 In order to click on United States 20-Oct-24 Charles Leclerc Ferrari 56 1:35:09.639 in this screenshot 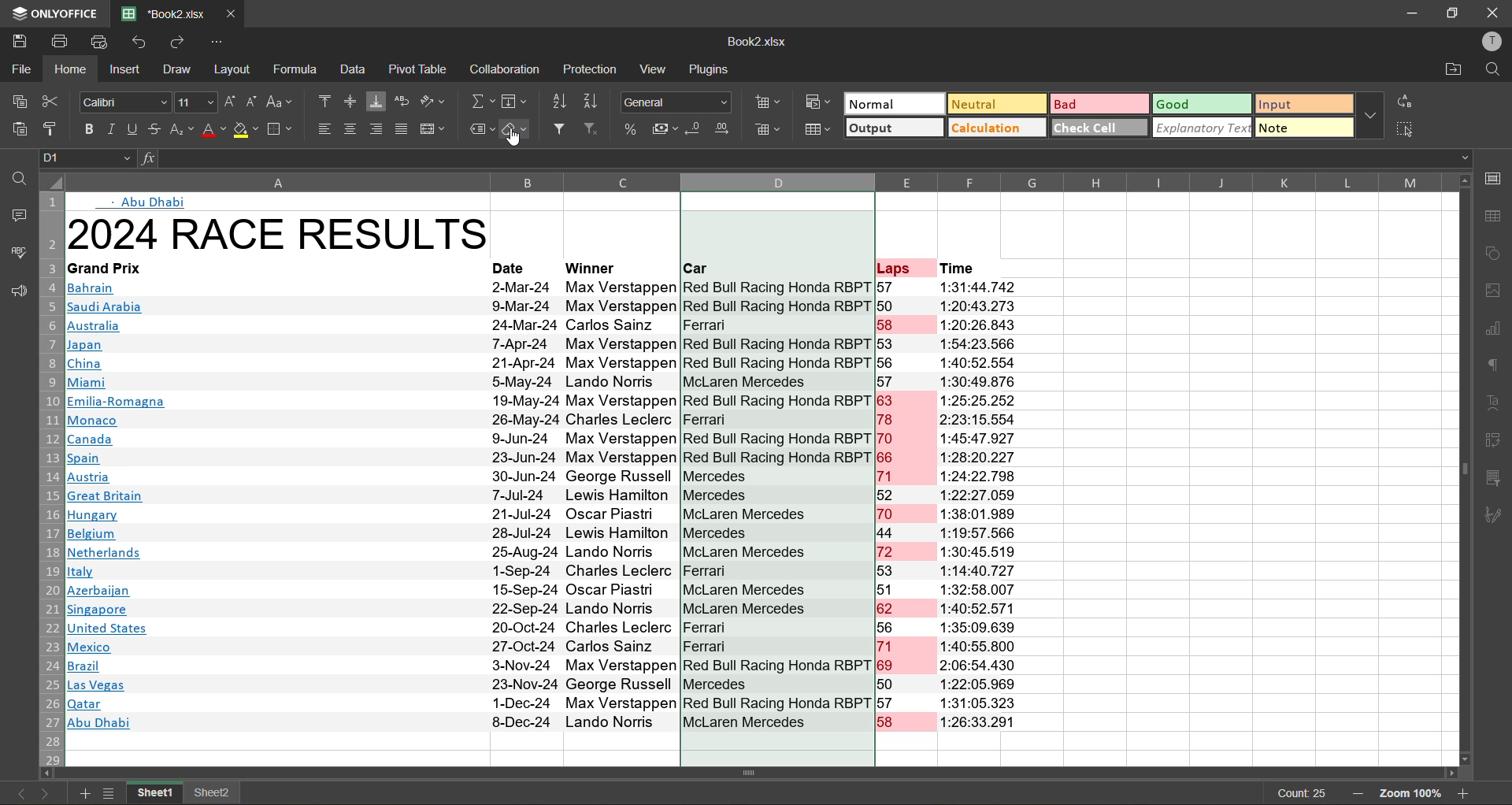, I will do `click(549, 627)`.